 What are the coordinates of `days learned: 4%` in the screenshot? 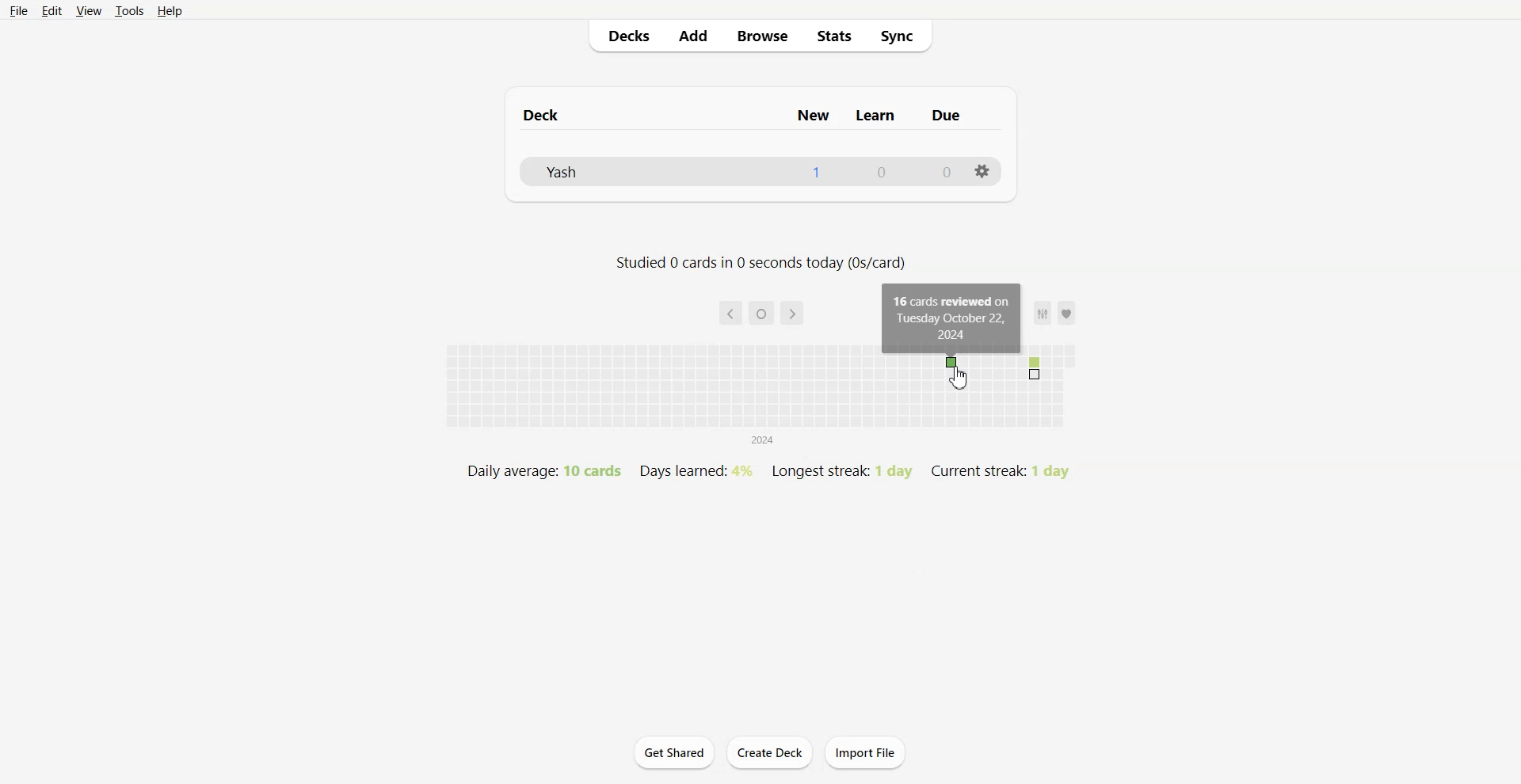 It's located at (694, 470).